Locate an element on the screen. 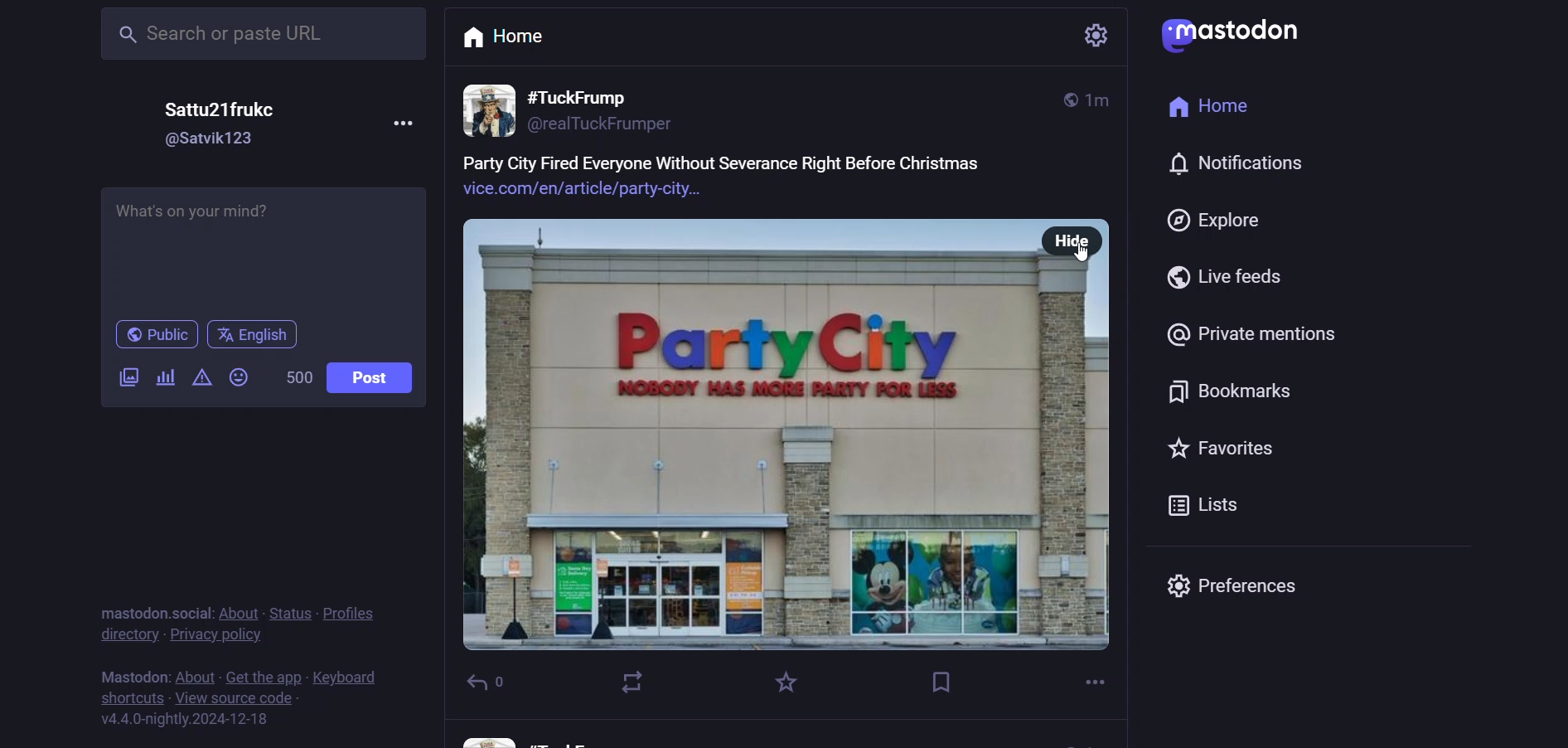 The image size is (1568, 748). profiles is located at coordinates (356, 610).